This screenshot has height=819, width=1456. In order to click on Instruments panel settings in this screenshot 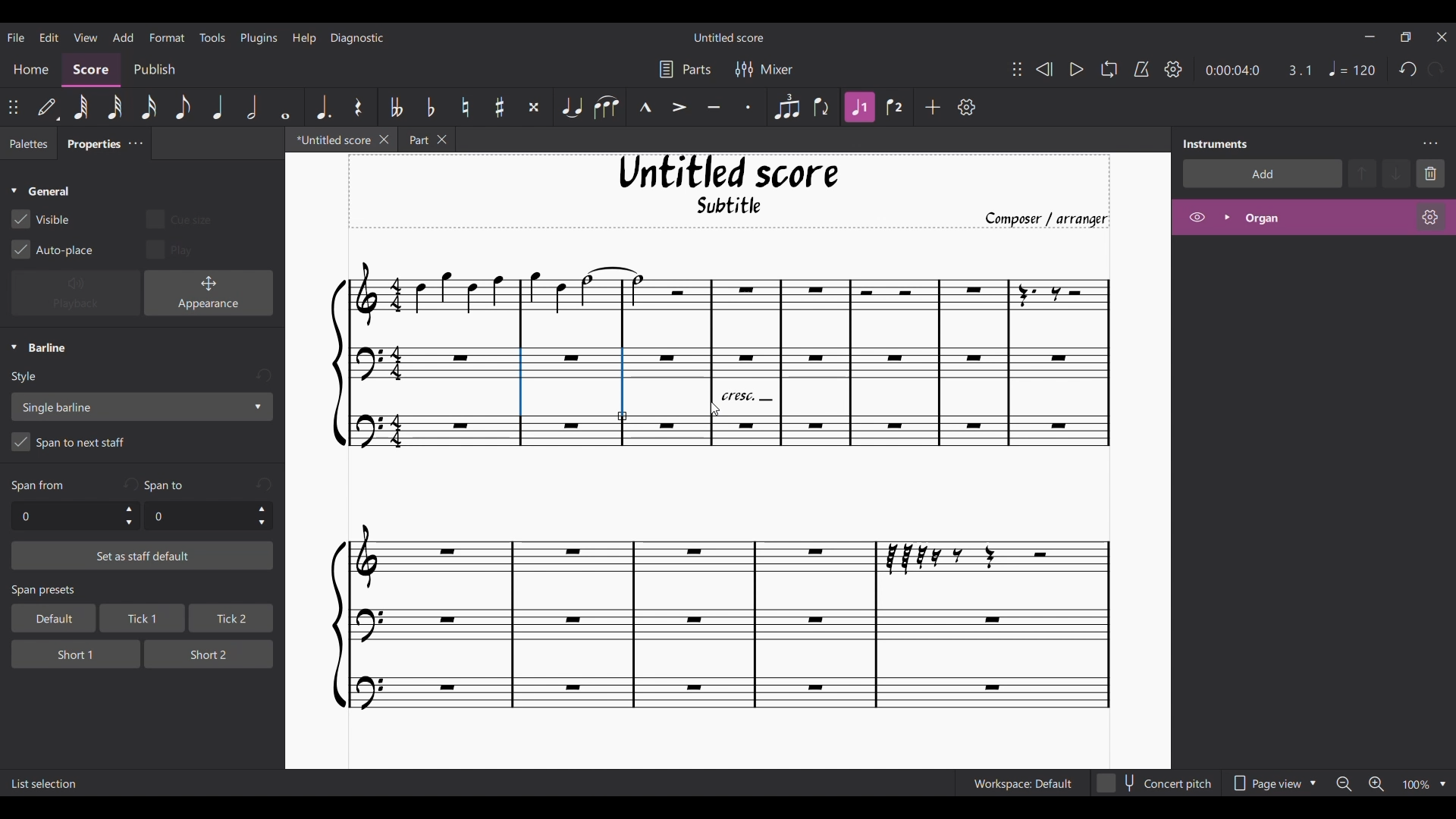, I will do `click(1430, 143)`.